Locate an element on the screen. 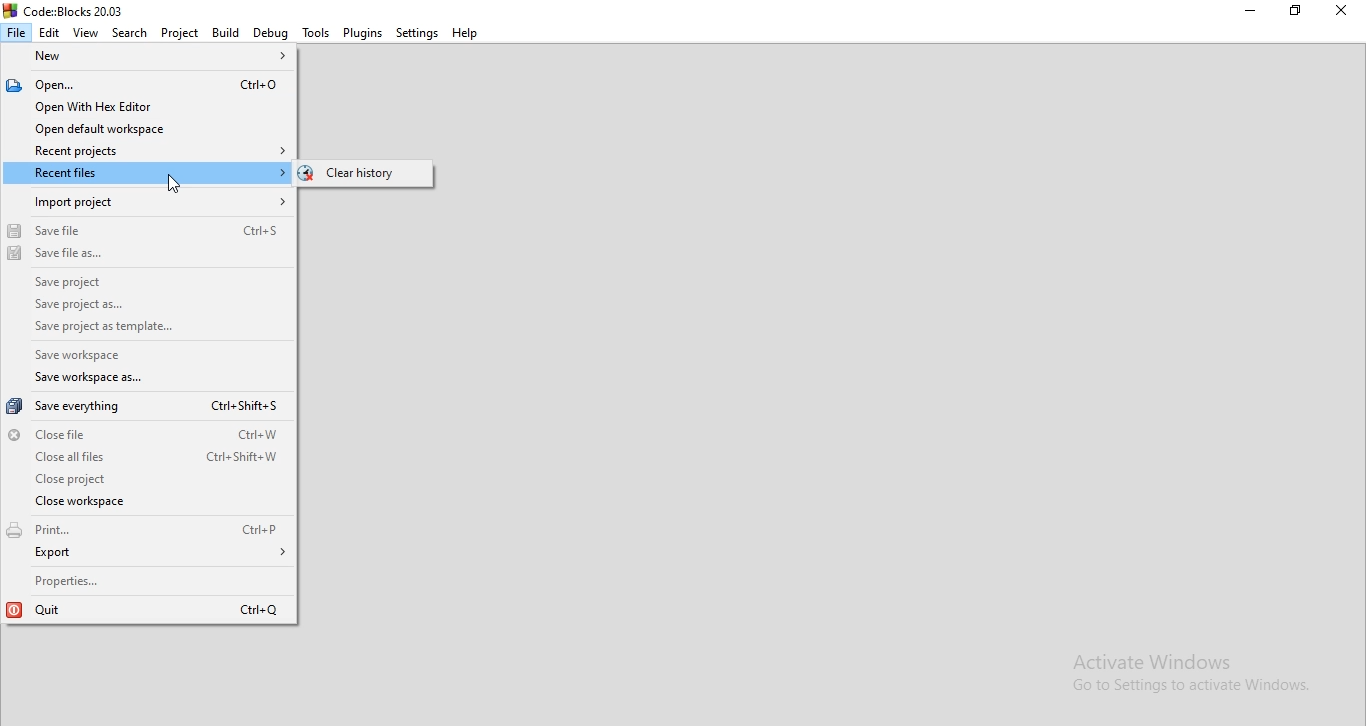 The width and height of the screenshot is (1366, 726). Save Workspace is located at coordinates (106, 356).